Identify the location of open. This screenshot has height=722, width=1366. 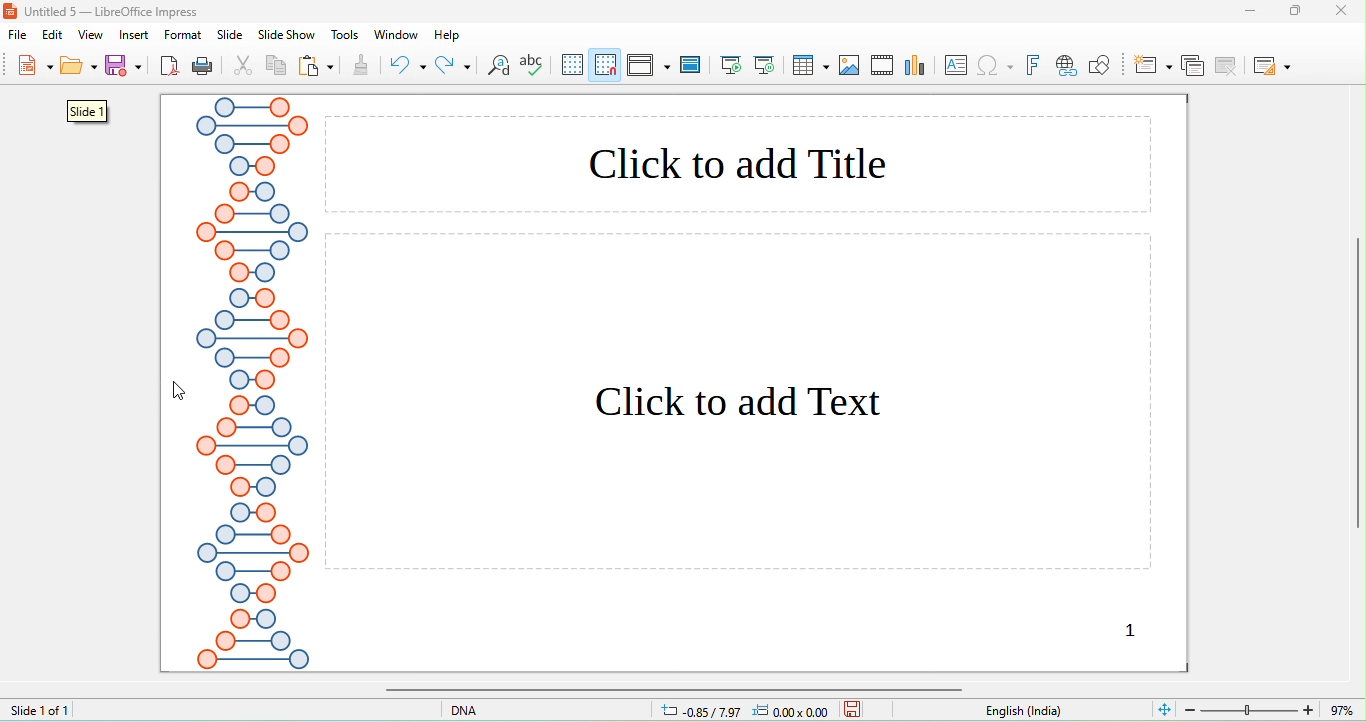
(79, 69).